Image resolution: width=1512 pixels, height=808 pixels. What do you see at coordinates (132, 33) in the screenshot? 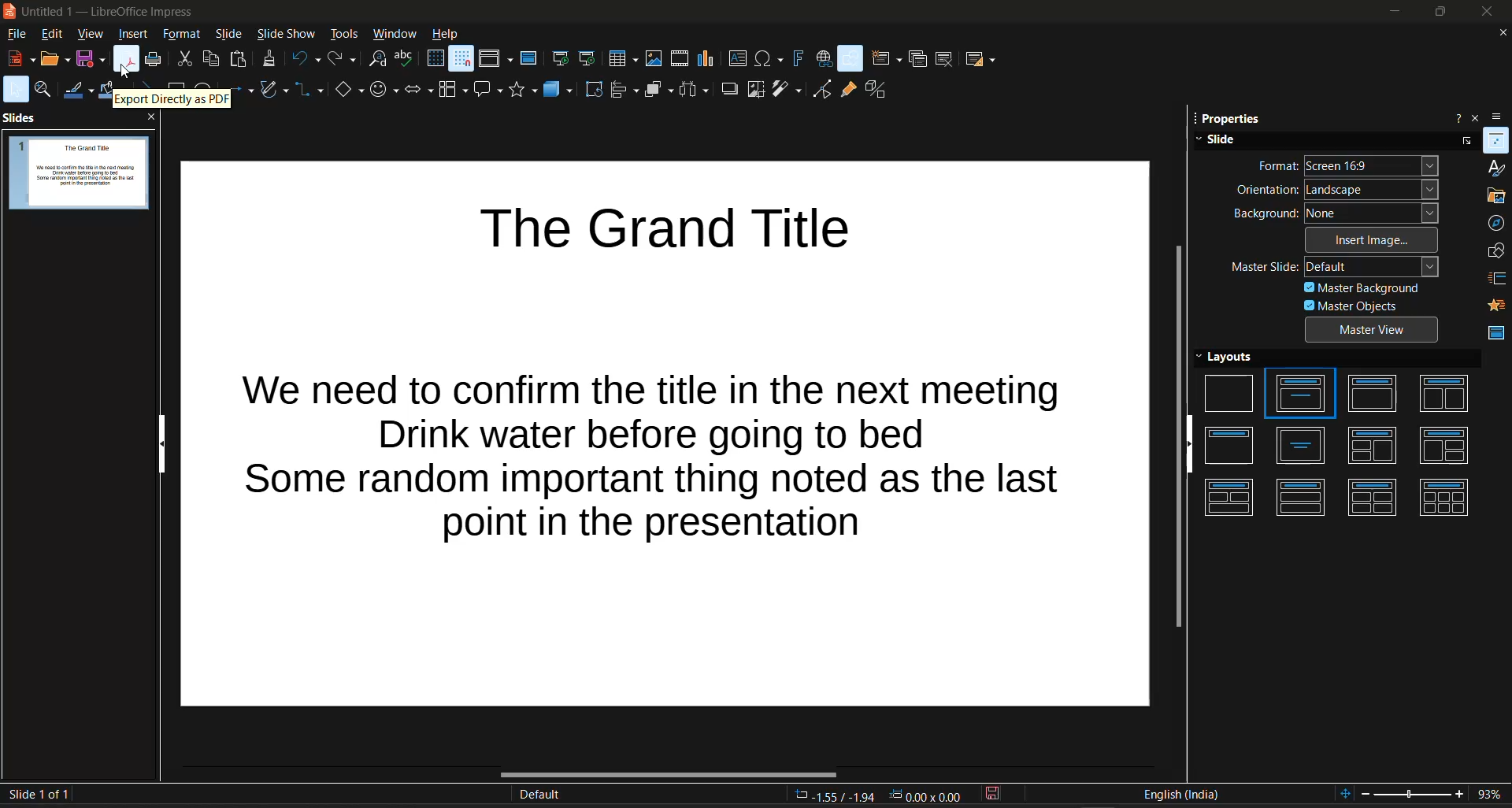
I see `insert` at bounding box center [132, 33].